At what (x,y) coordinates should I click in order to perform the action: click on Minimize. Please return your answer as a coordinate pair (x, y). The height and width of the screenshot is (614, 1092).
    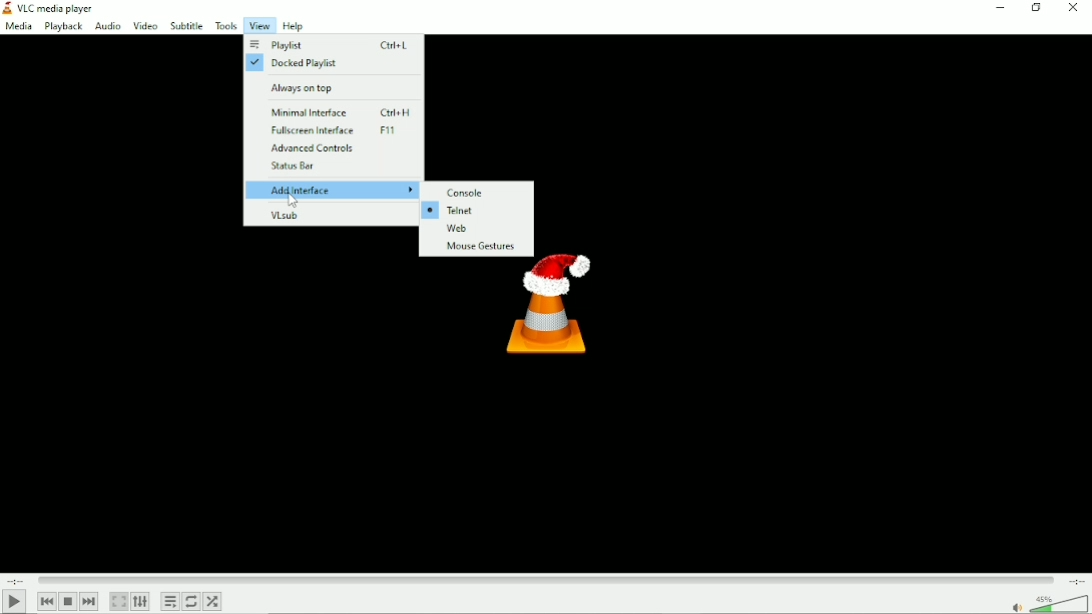
    Looking at the image, I should click on (1004, 8).